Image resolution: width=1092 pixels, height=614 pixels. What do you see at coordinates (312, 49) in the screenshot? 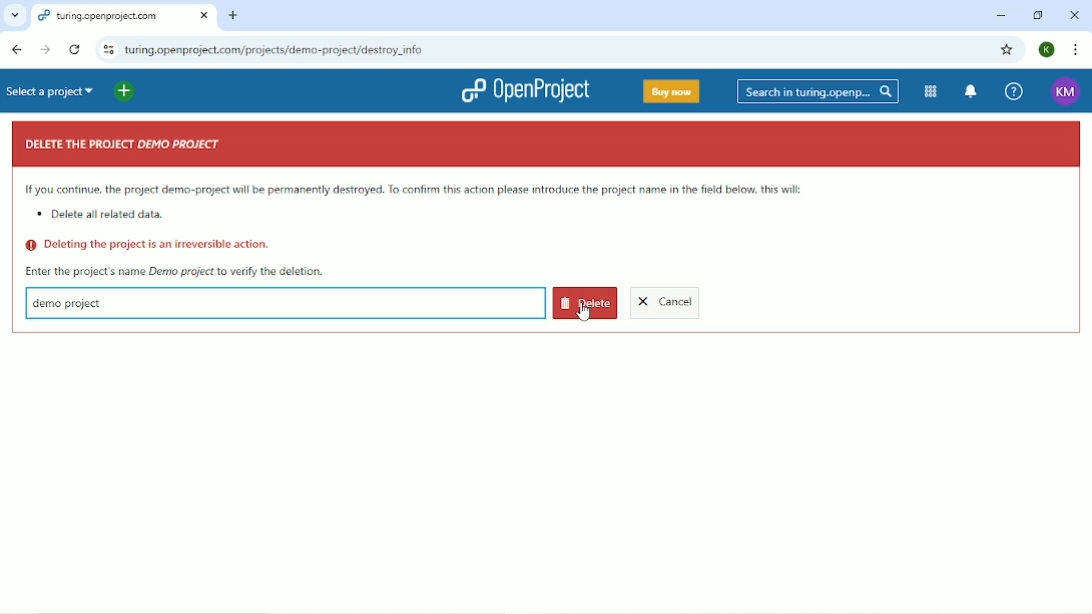
I see `turing.openproject.com/projects/demo-project/destroy_info` at bounding box center [312, 49].